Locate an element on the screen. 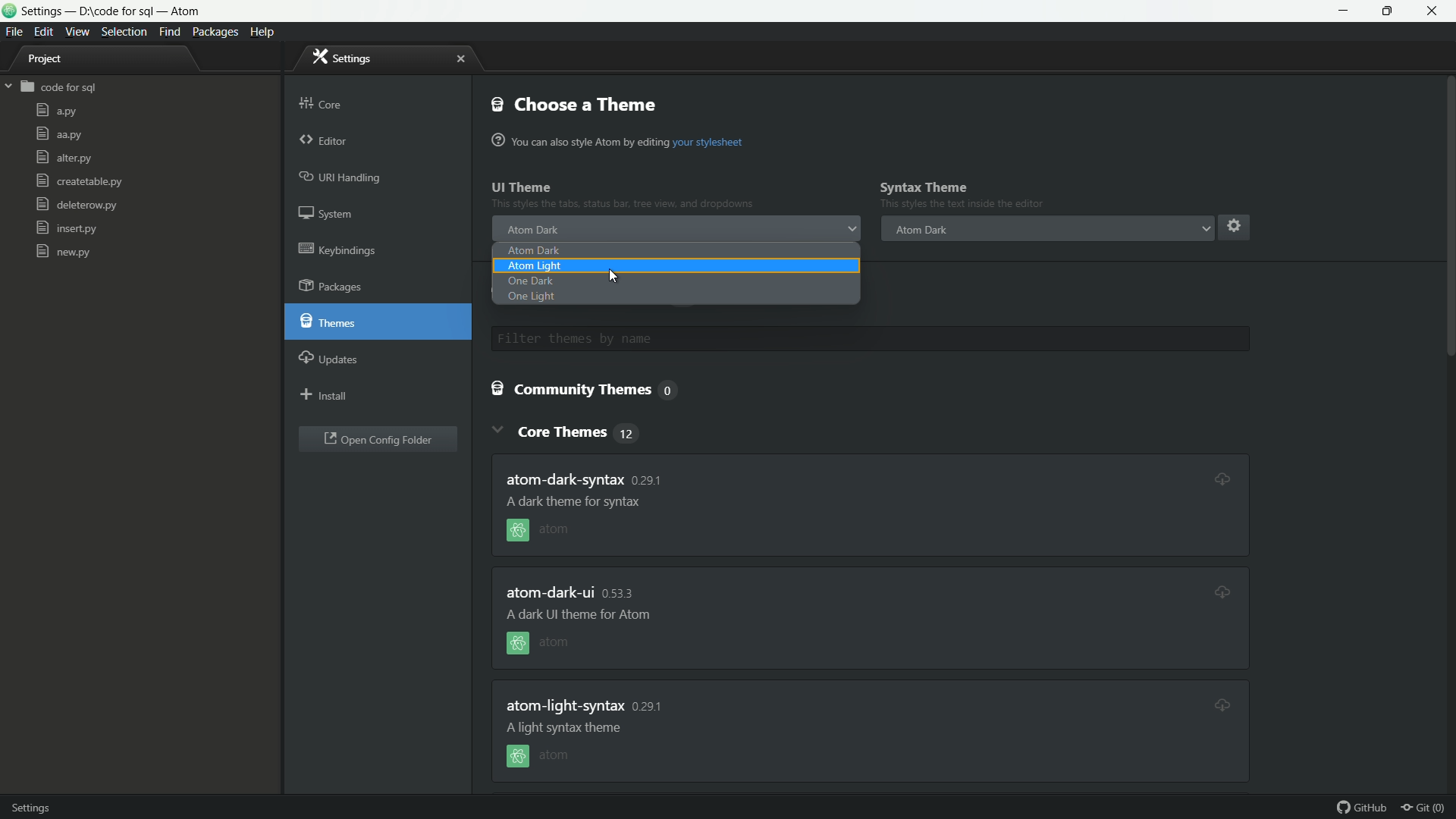  folder name is located at coordinates (60, 88).